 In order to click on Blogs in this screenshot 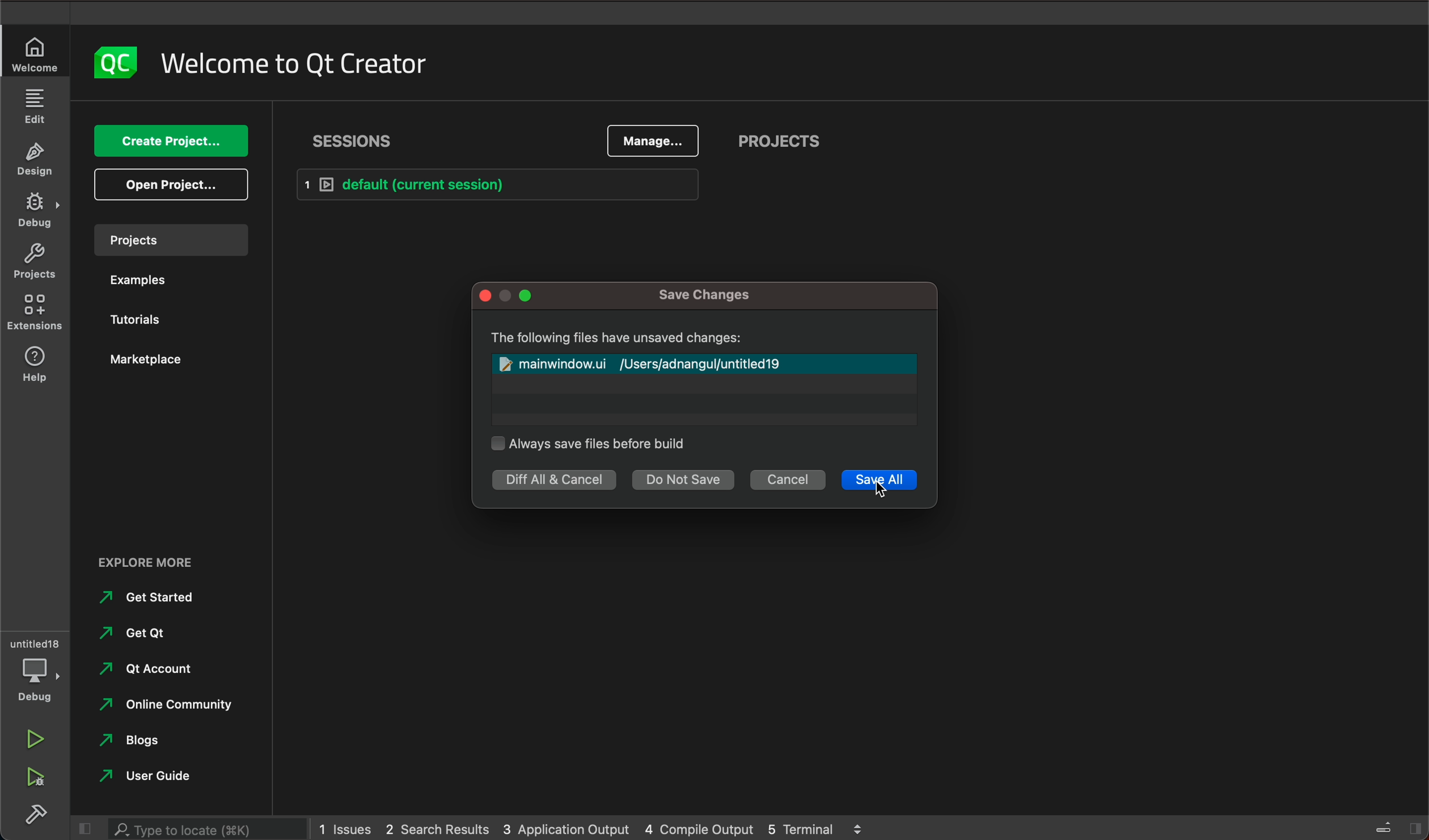, I will do `click(135, 740)`.